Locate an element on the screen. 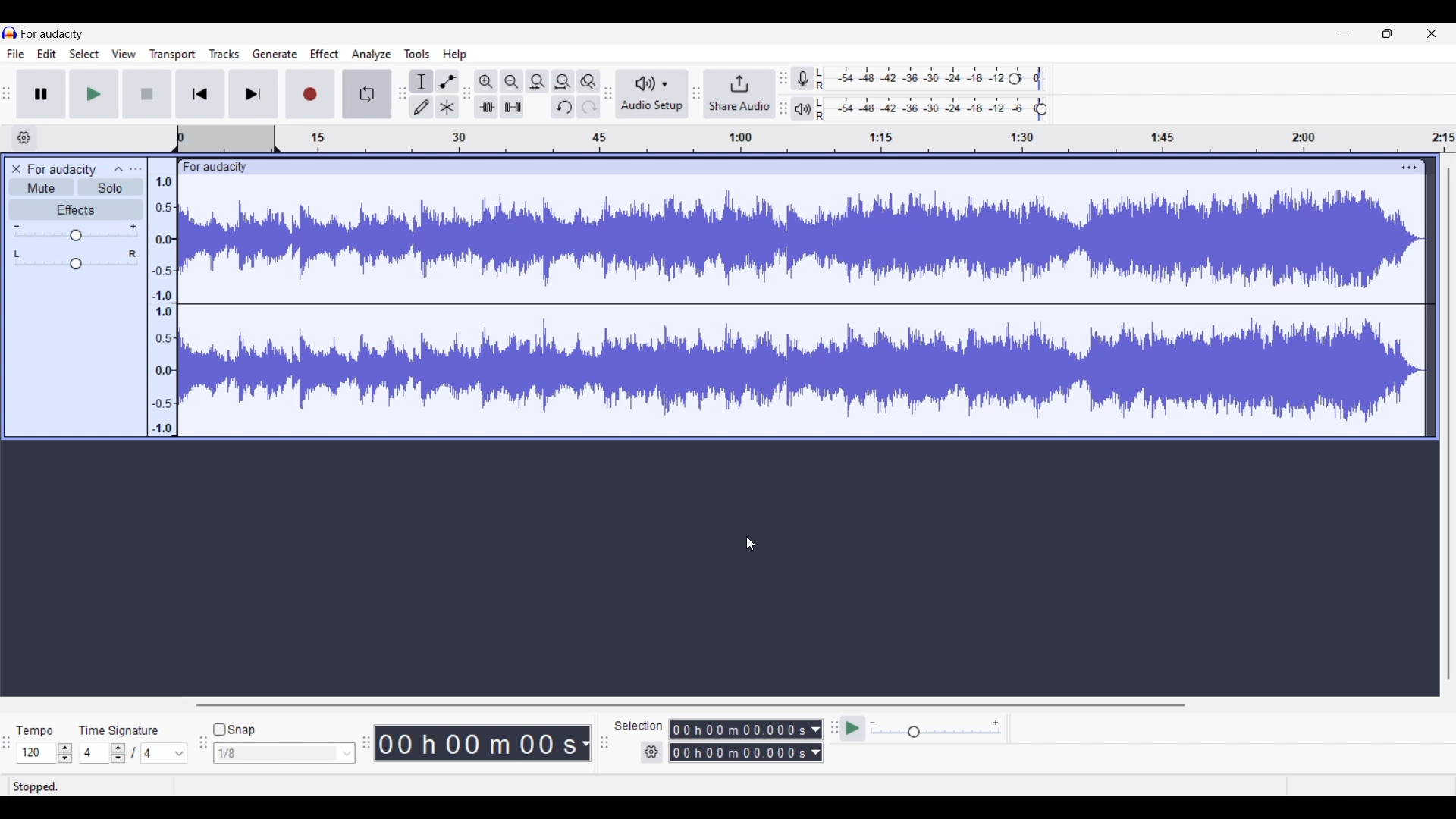  Audio track name is located at coordinates (62, 170).